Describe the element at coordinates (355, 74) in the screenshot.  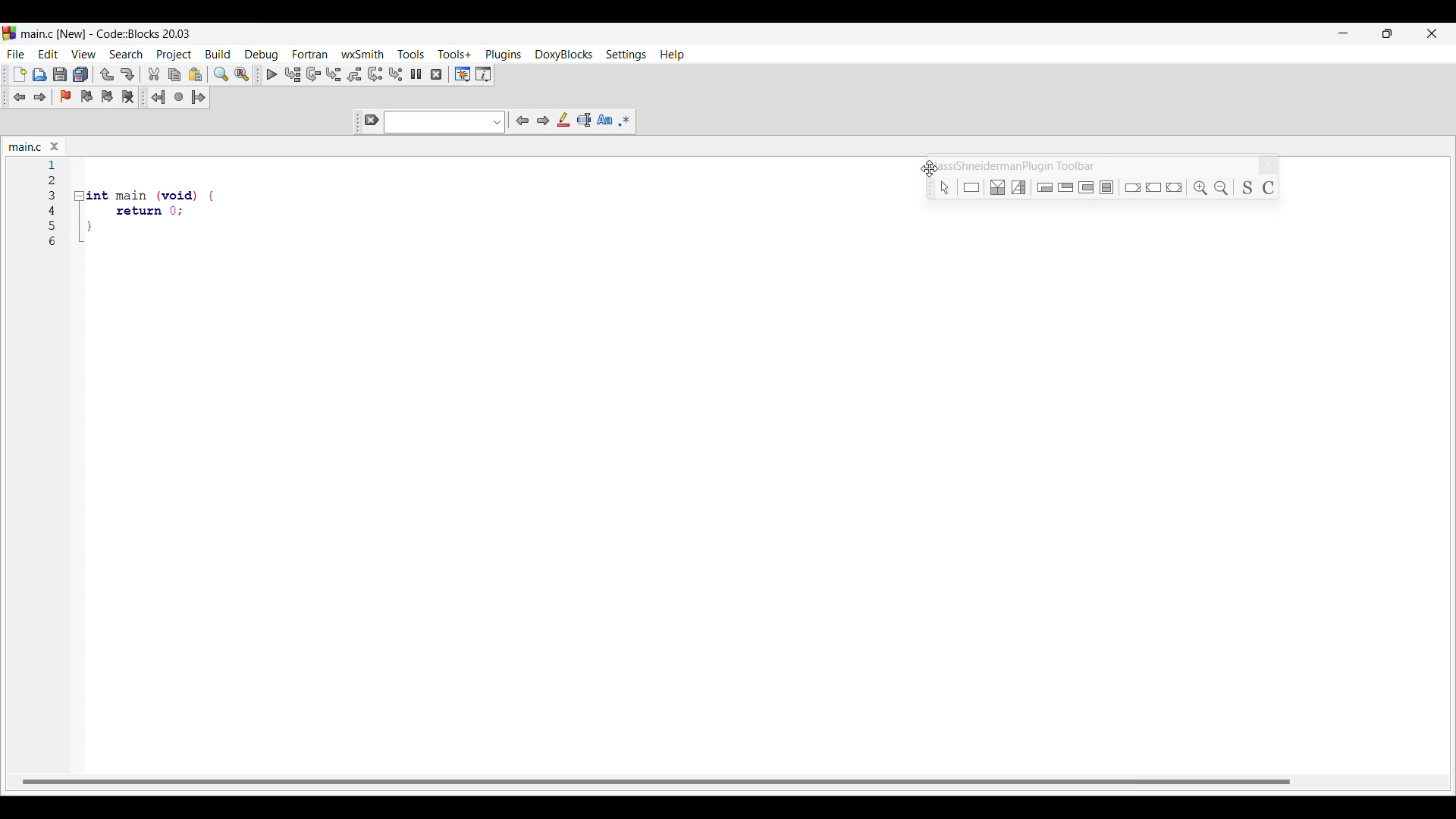
I see `Step out` at that location.